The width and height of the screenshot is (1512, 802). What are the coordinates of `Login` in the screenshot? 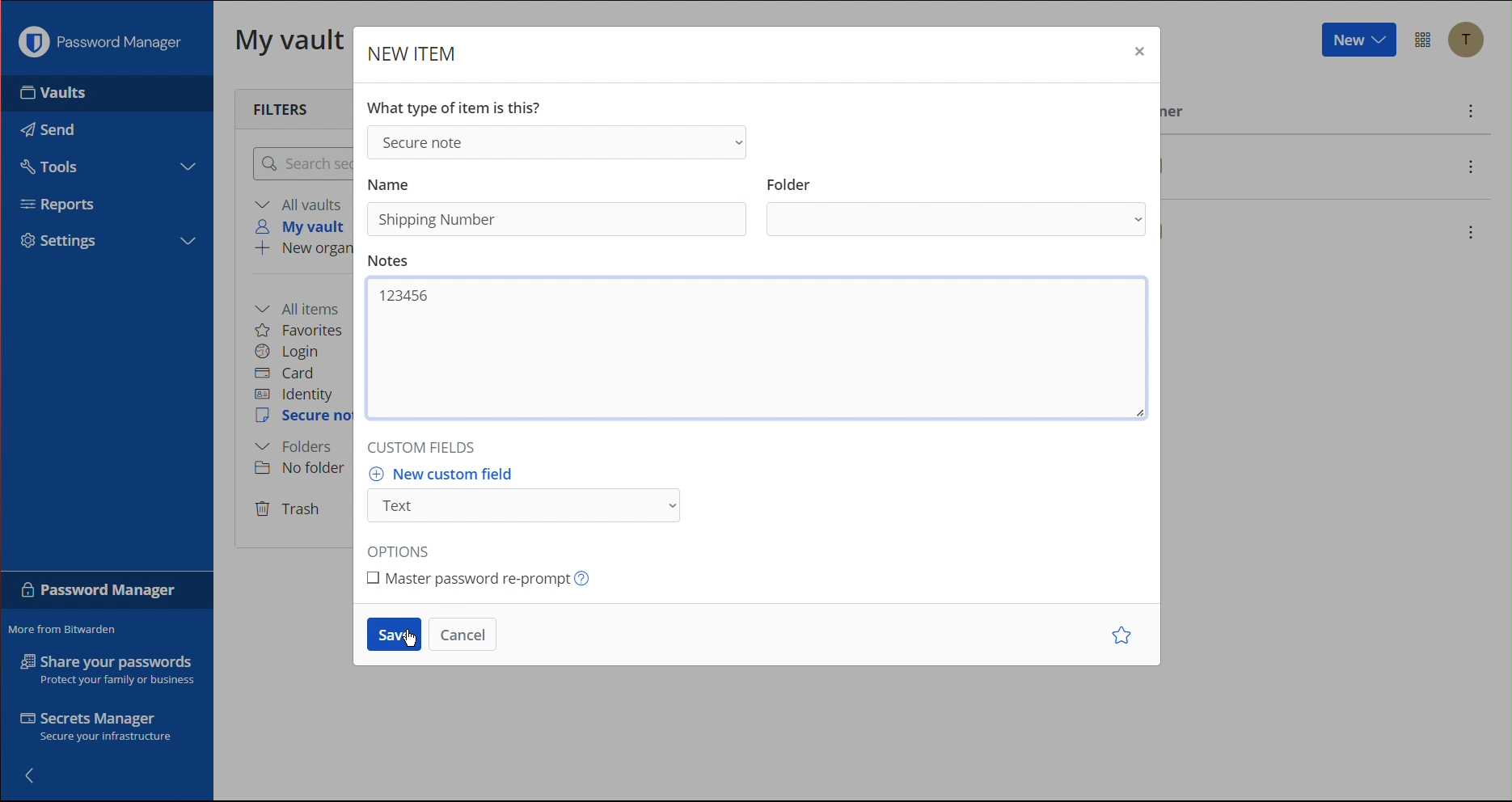 It's located at (291, 352).